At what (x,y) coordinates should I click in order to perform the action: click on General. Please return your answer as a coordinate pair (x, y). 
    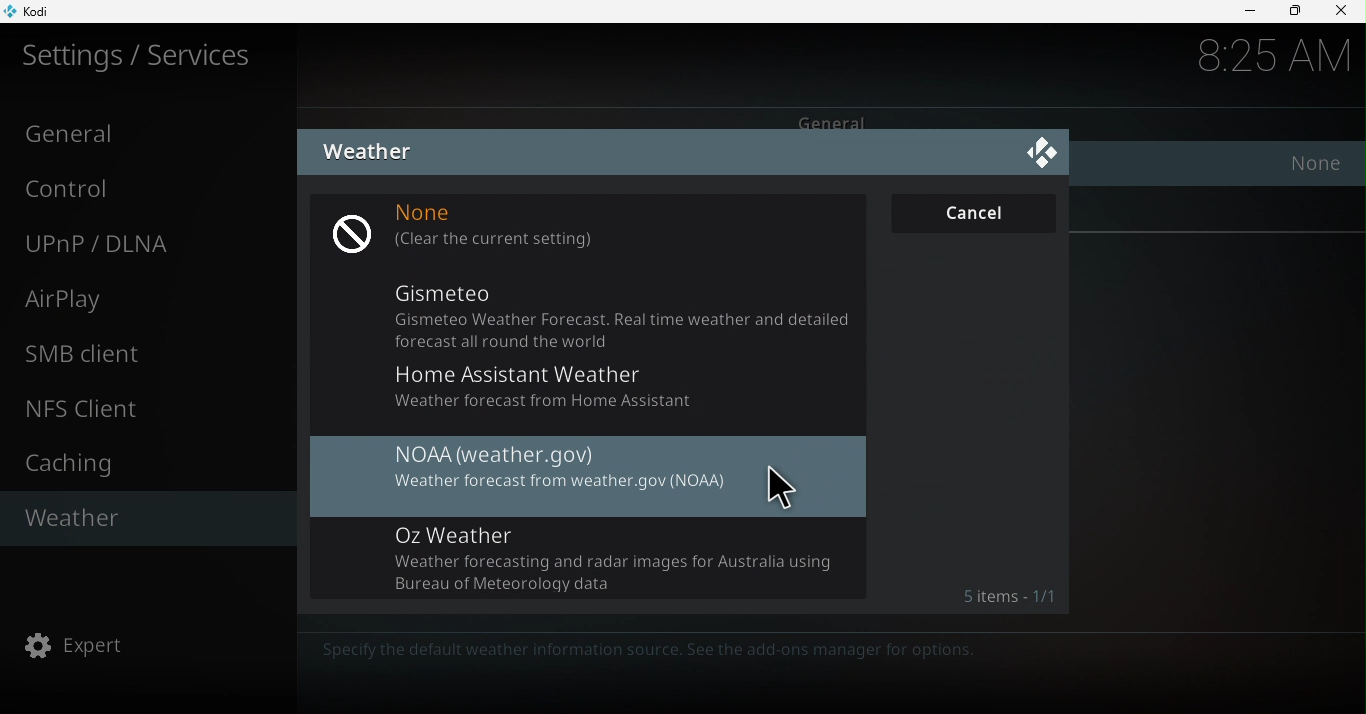
    Looking at the image, I should click on (146, 131).